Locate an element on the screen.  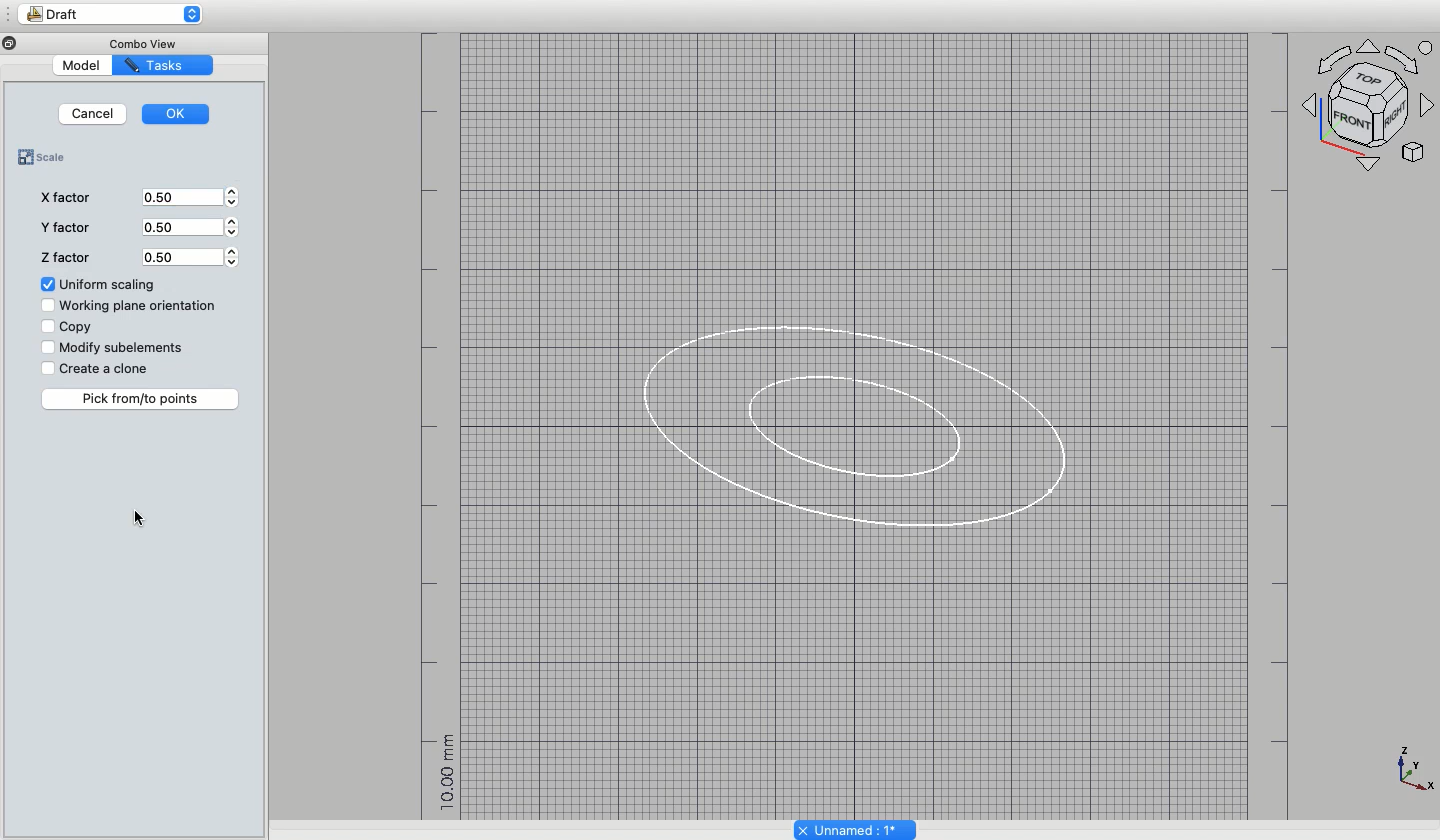
Y factor is located at coordinates (64, 227).